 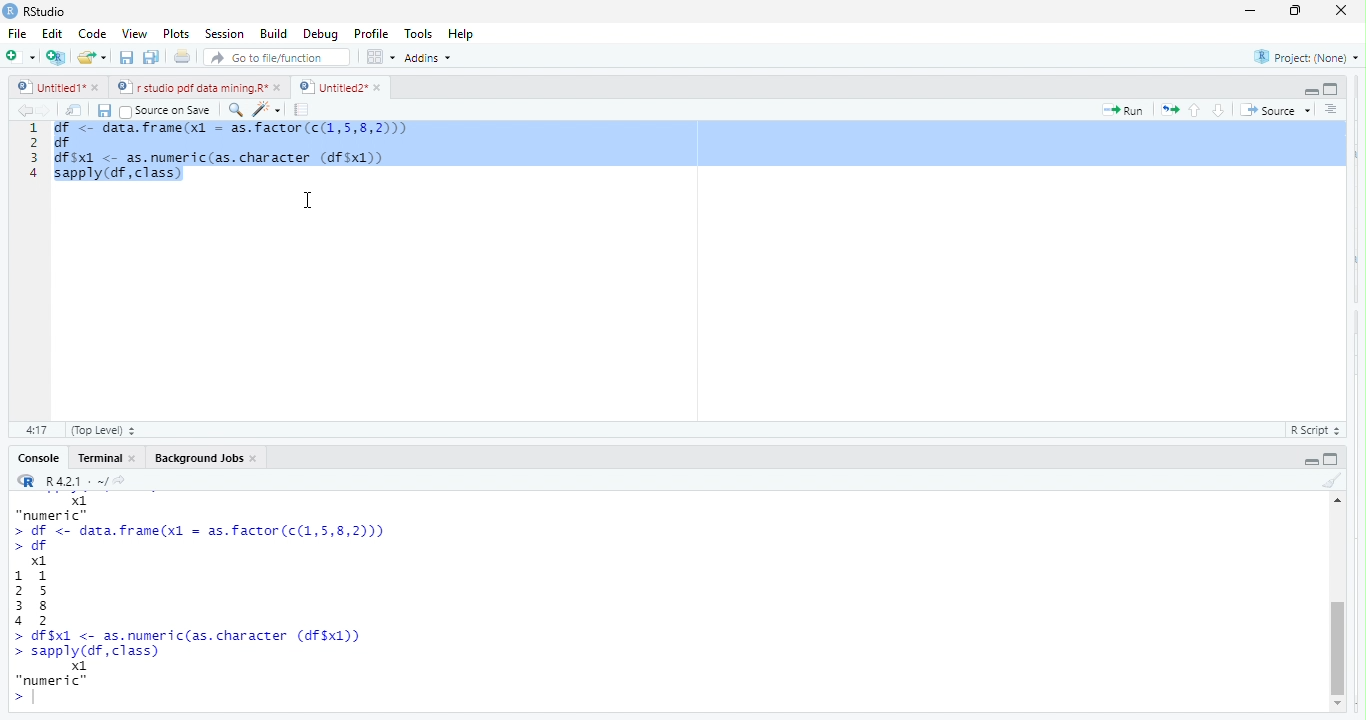 What do you see at coordinates (1337, 11) in the screenshot?
I see `Close` at bounding box center [1337, 11].